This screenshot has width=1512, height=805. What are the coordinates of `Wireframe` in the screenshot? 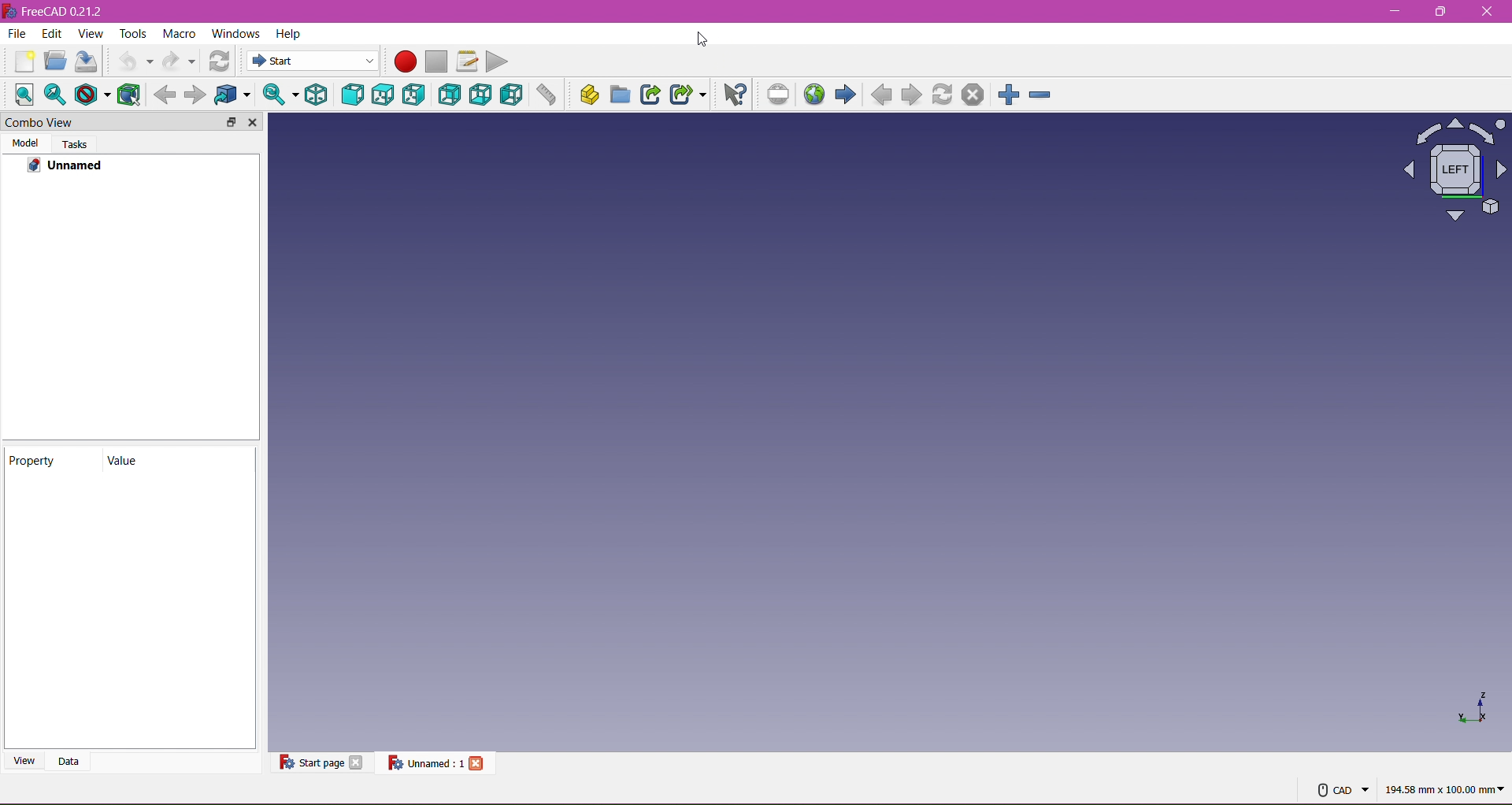 It's located at (128, 94).